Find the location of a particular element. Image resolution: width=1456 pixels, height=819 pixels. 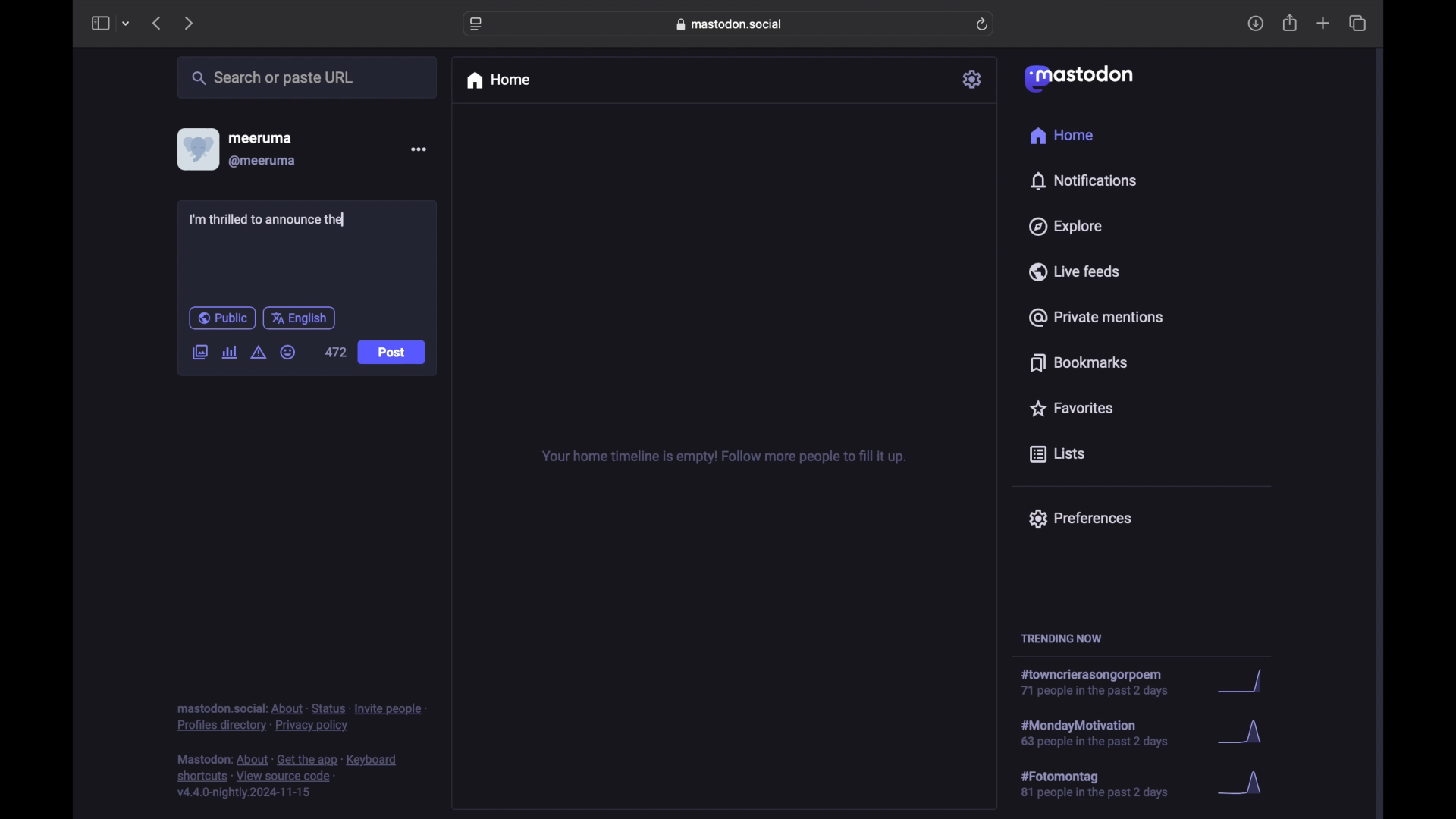

bookmarks is located at coordinates (1081, 362).